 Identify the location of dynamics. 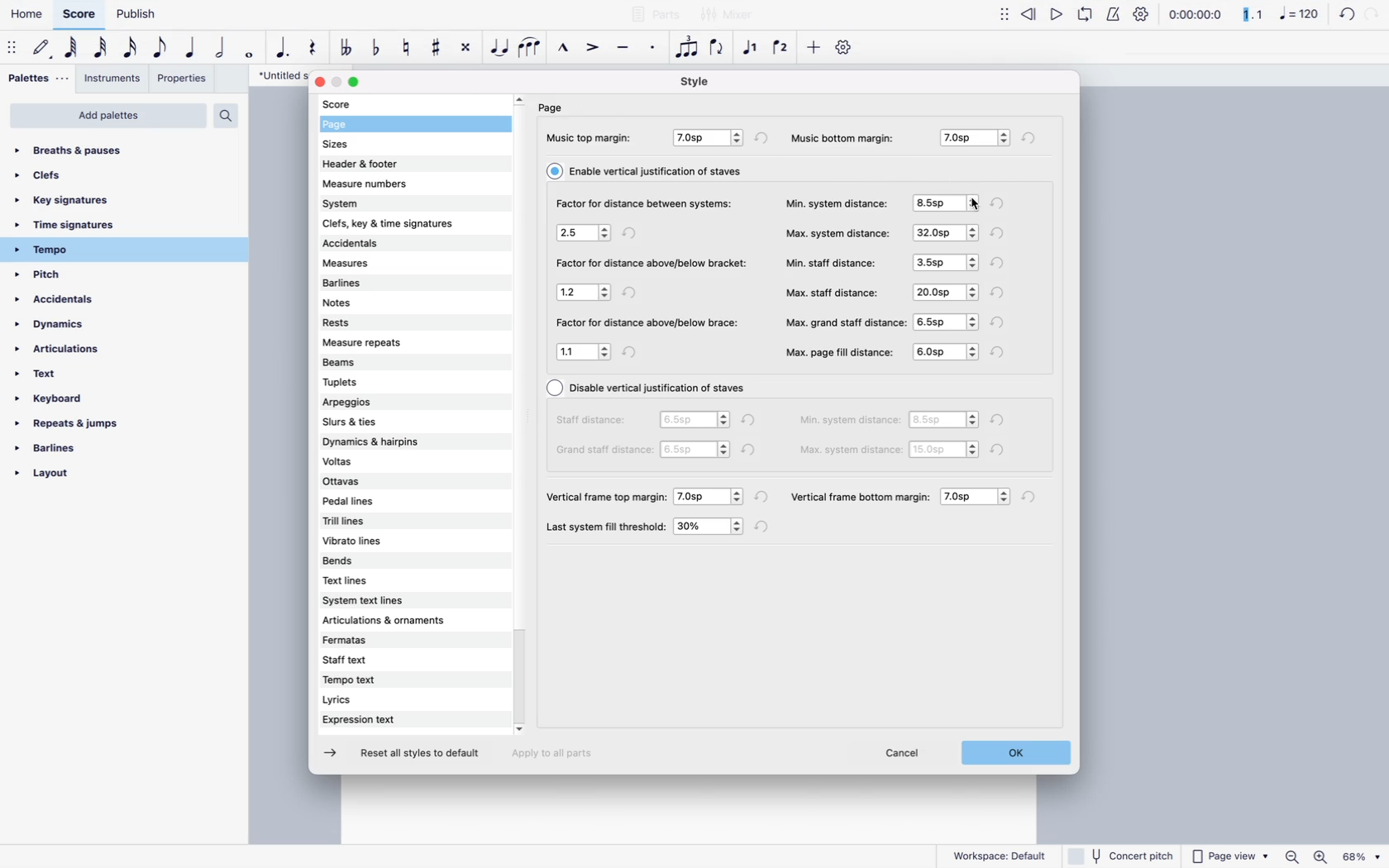
(74, 329).